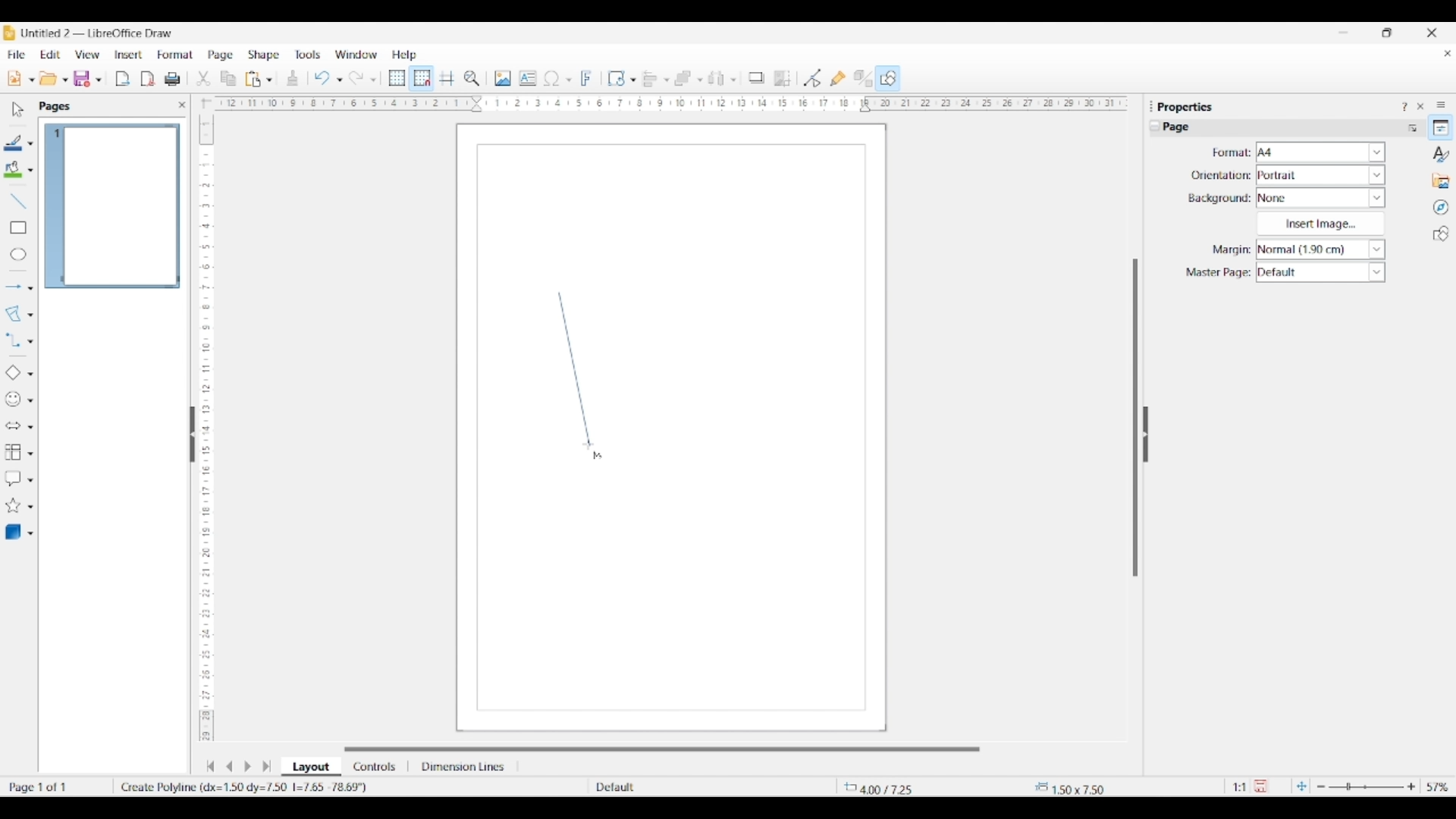 Image resolution: width=1456 pixels, height=819 pixels. I want to click on Selected alignment, so click(650, 77).